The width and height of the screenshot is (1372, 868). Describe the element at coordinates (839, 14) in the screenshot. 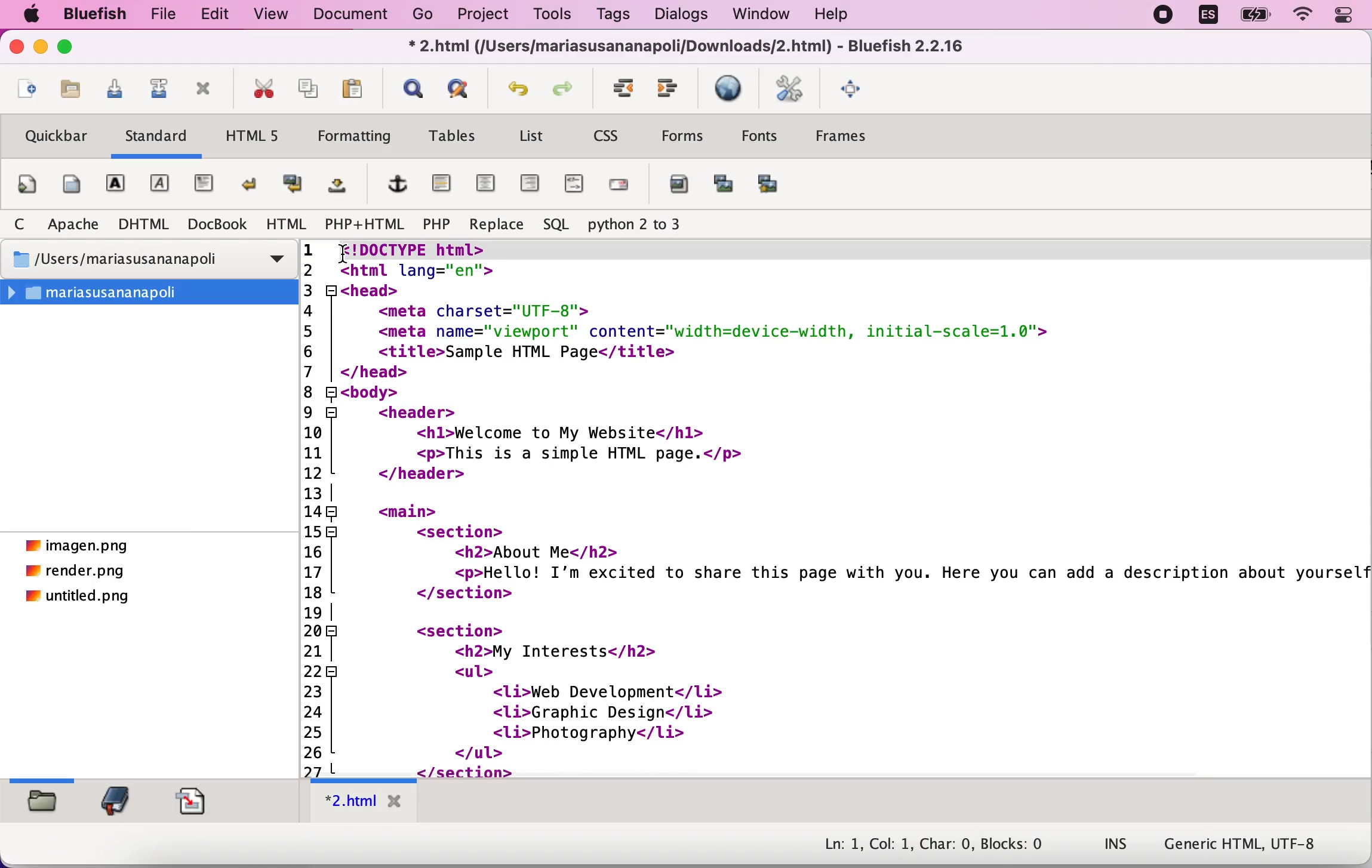

I see `help` at that location.